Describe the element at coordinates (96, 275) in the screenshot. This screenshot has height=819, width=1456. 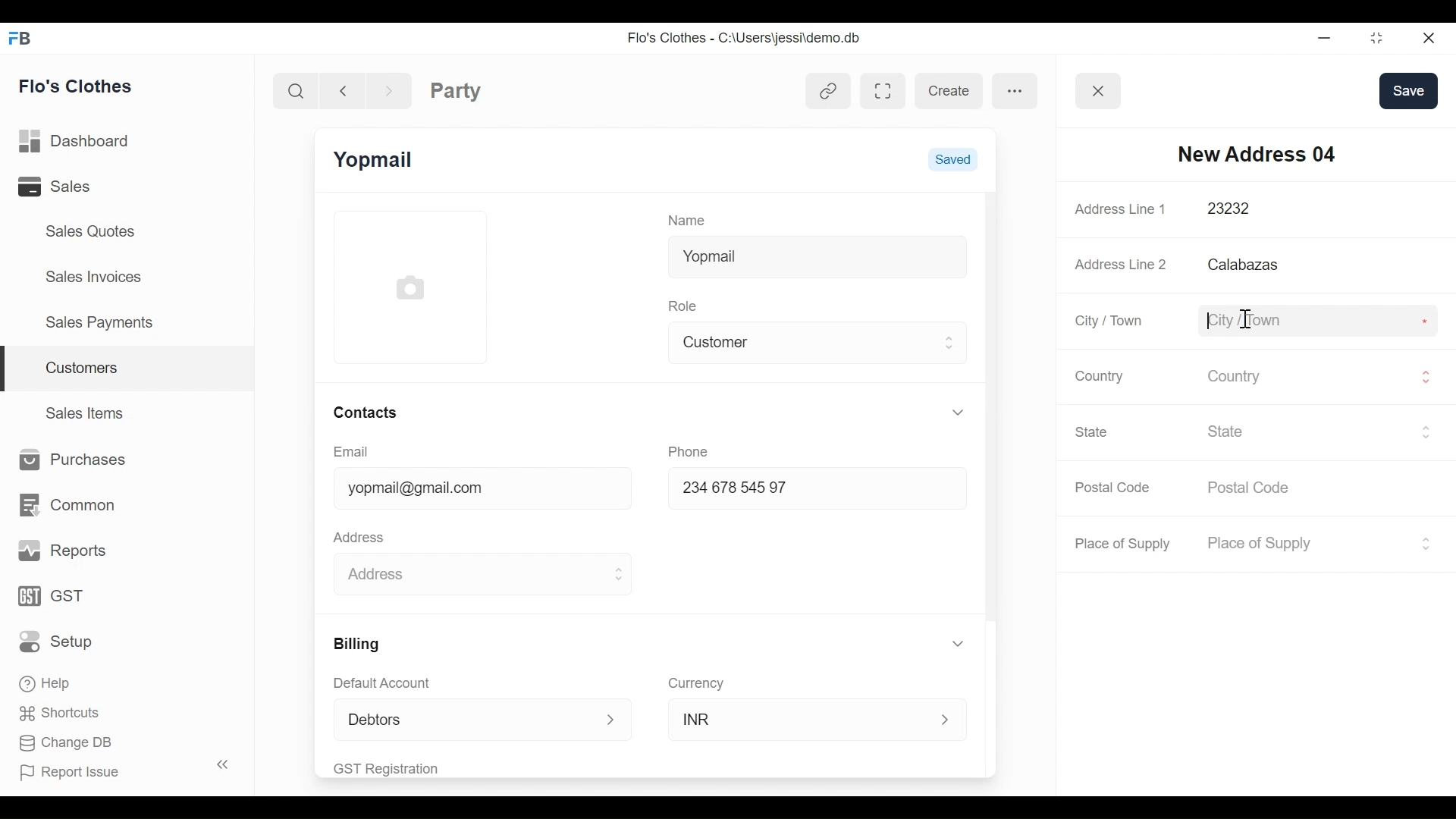
I see `Sales Invoices` at that location.